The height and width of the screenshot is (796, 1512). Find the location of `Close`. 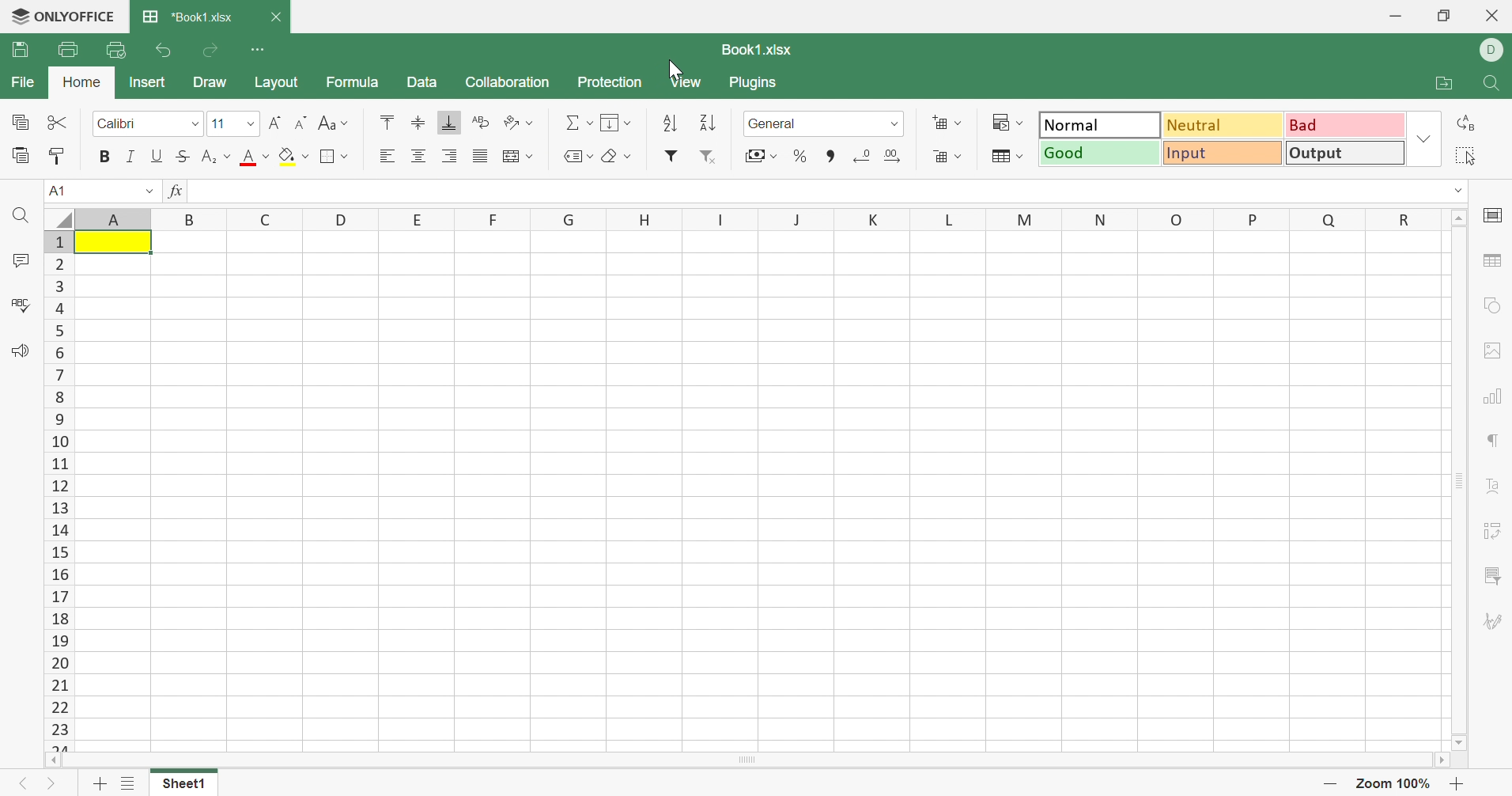

Close is located at coordinates (1493, 15).